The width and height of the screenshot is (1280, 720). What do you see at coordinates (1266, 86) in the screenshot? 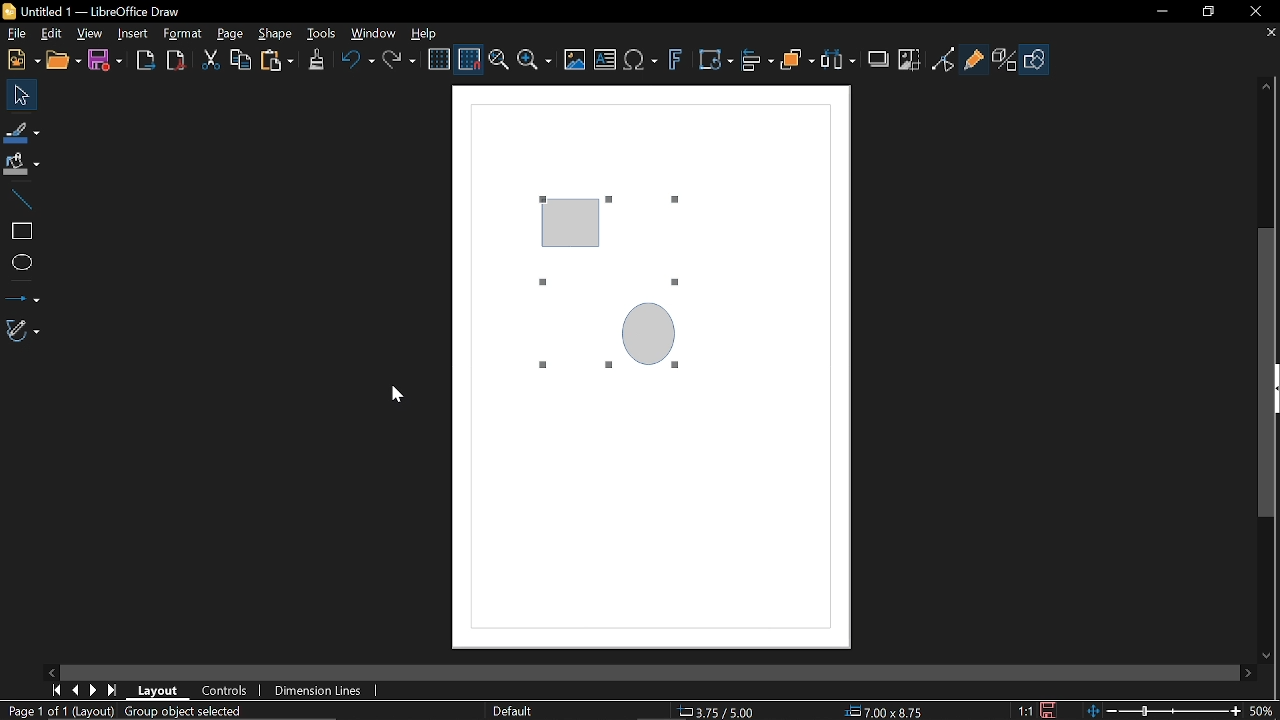
I see `Moveup` at bounding box center [1266, 86].